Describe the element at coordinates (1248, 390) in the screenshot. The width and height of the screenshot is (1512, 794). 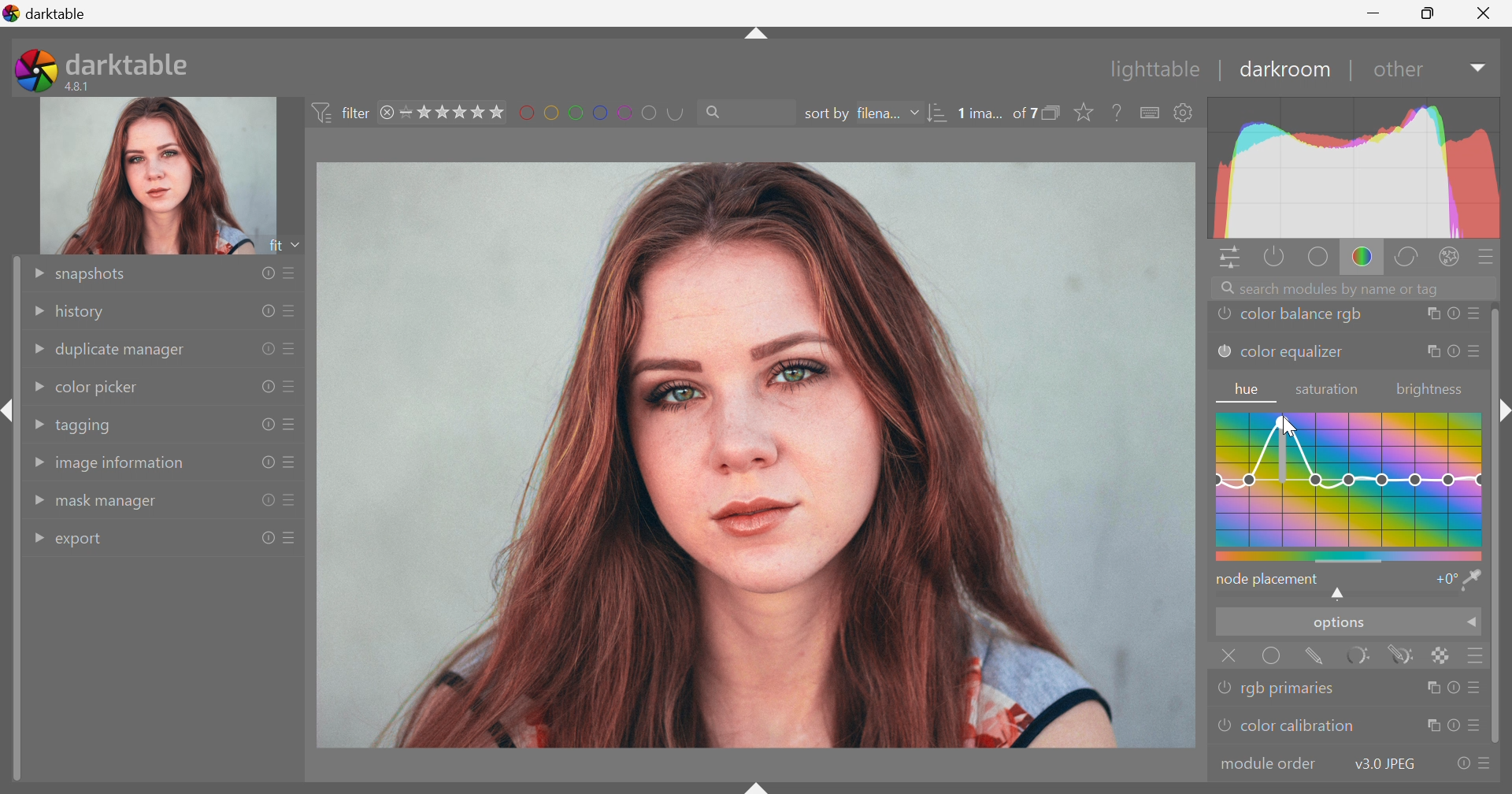
I see `hue` at that location.